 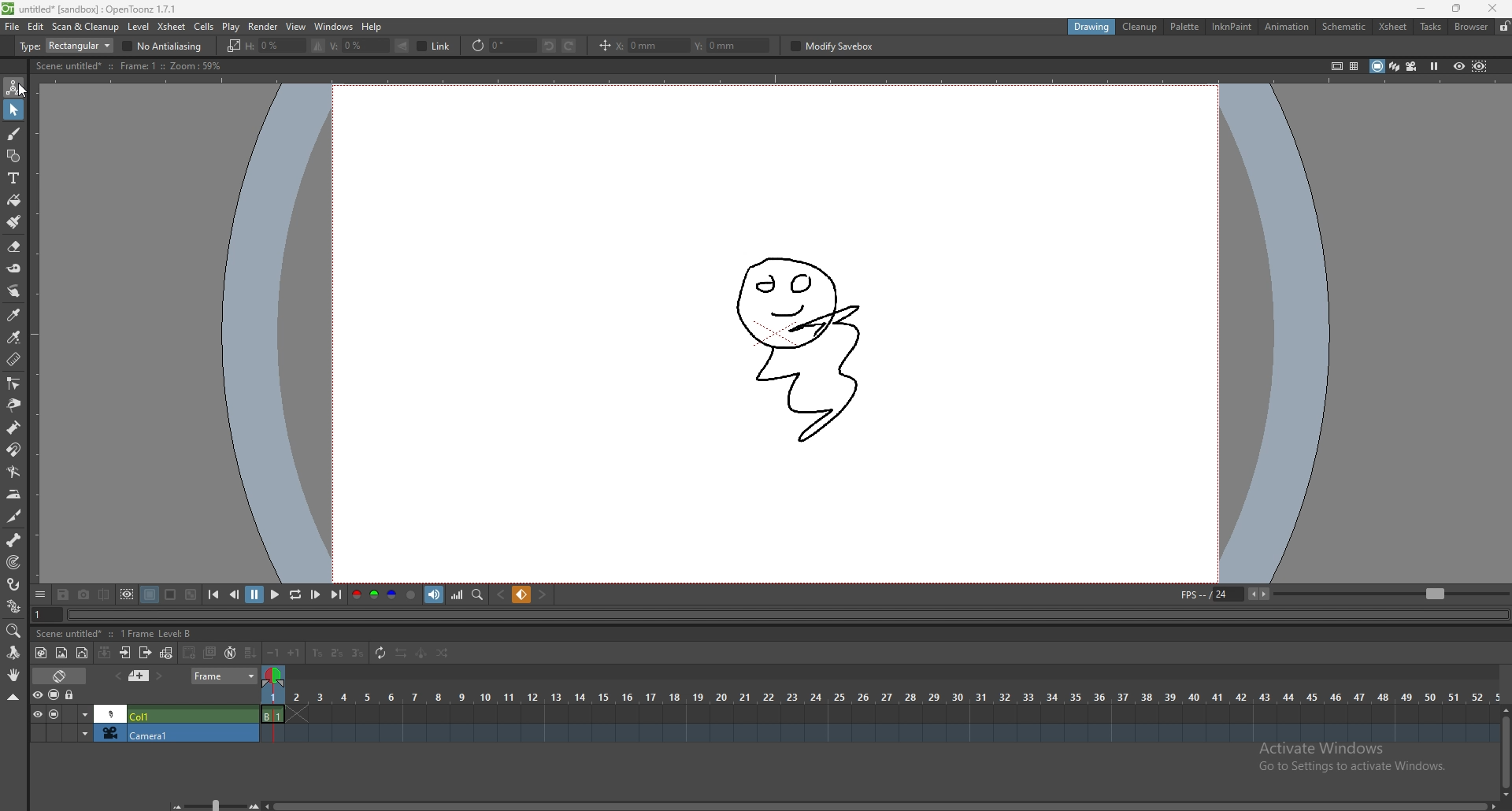 What do you see at coordinates (336, 653) in the screenshot?
I see `reframe on 2s` at bounding box center [336, 653].